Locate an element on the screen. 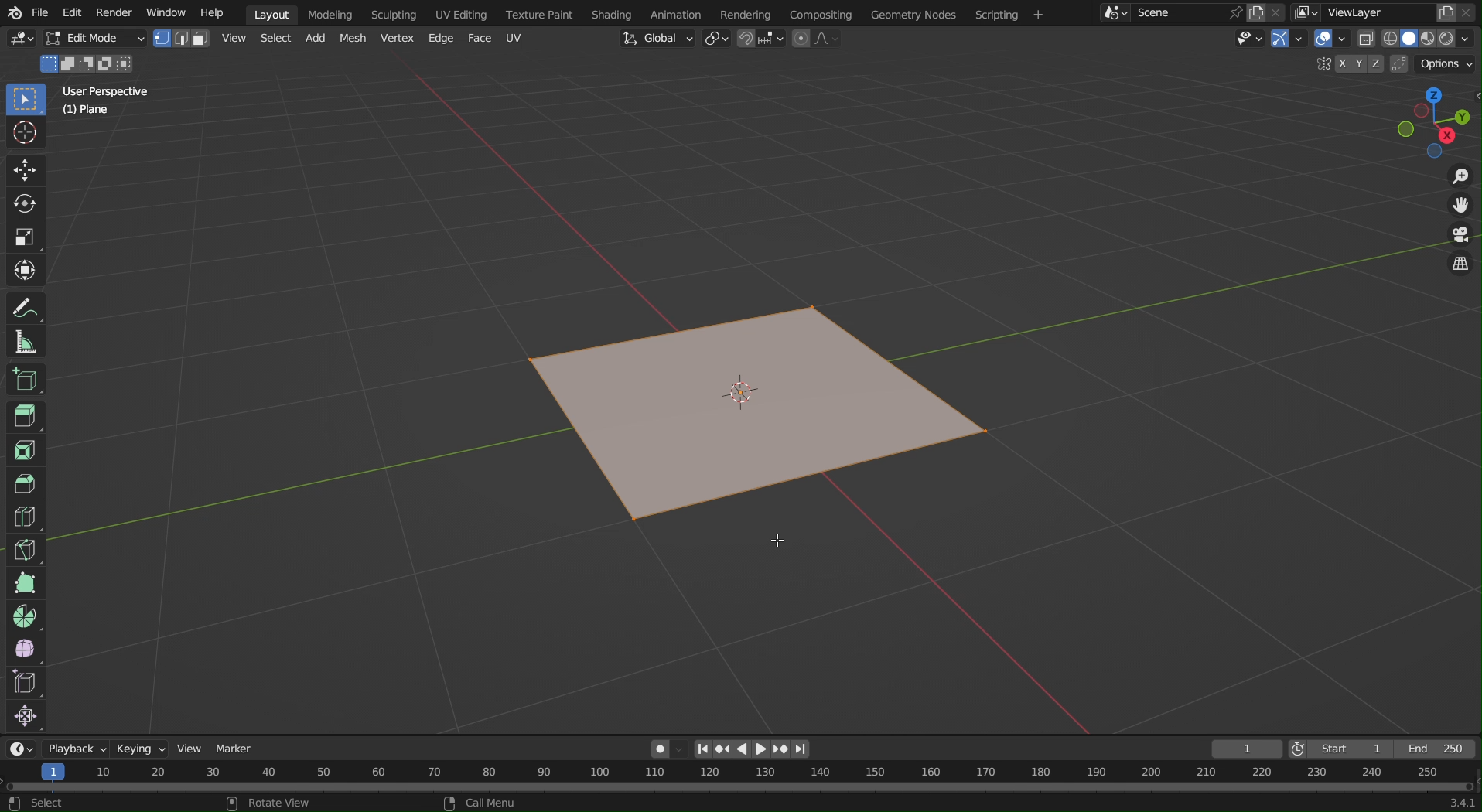 The height and width of the screenshot is (812, 1482). Shrink/Flatten is located at coordinates (25, 718).